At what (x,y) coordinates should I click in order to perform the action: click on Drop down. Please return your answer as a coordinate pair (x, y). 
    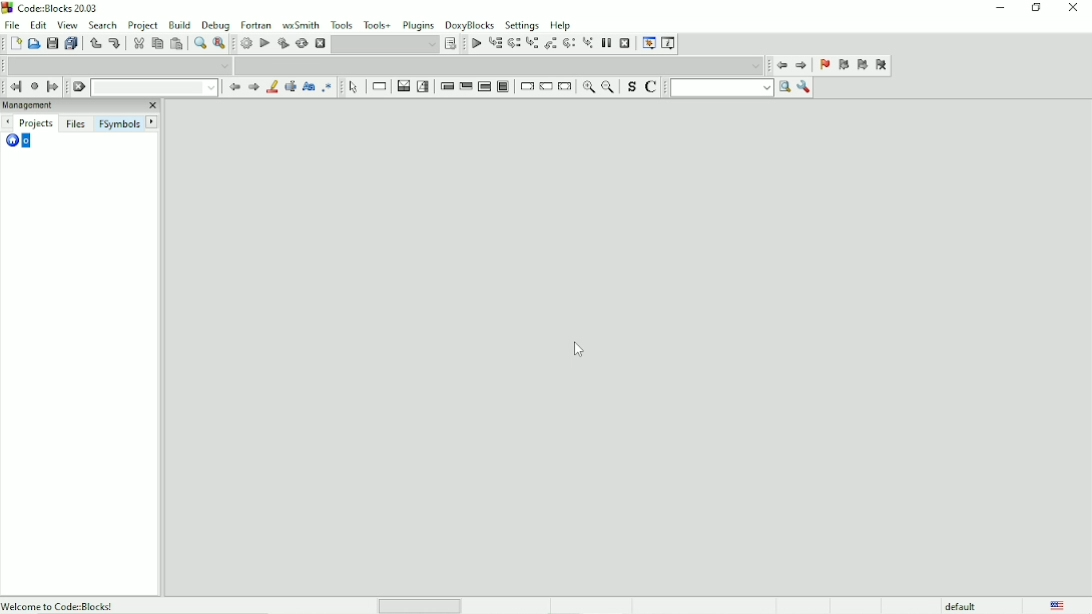
    Looking at the image, I should click on (120, 65).